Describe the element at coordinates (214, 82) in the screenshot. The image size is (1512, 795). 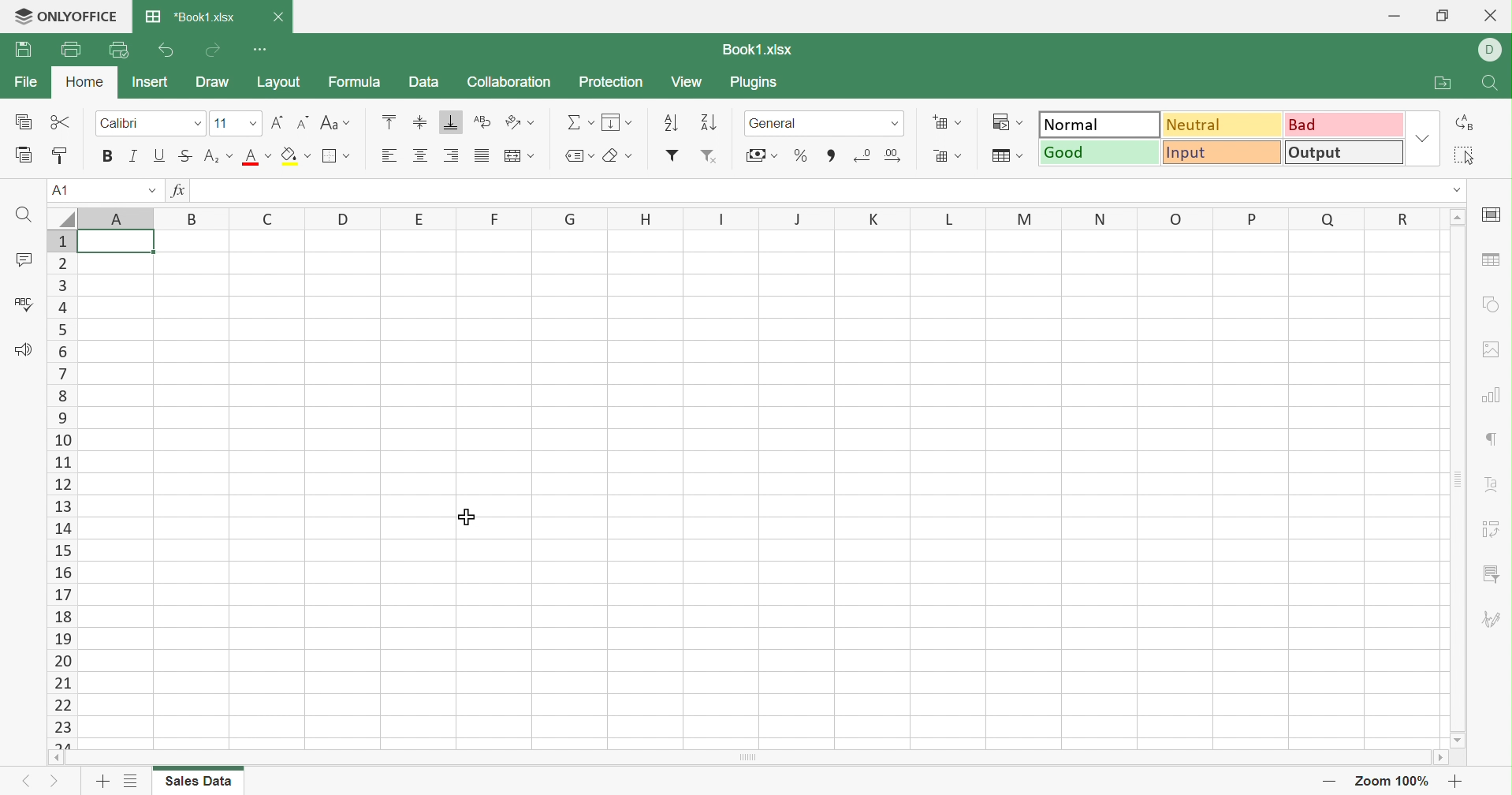
I see `Draw` at that location.